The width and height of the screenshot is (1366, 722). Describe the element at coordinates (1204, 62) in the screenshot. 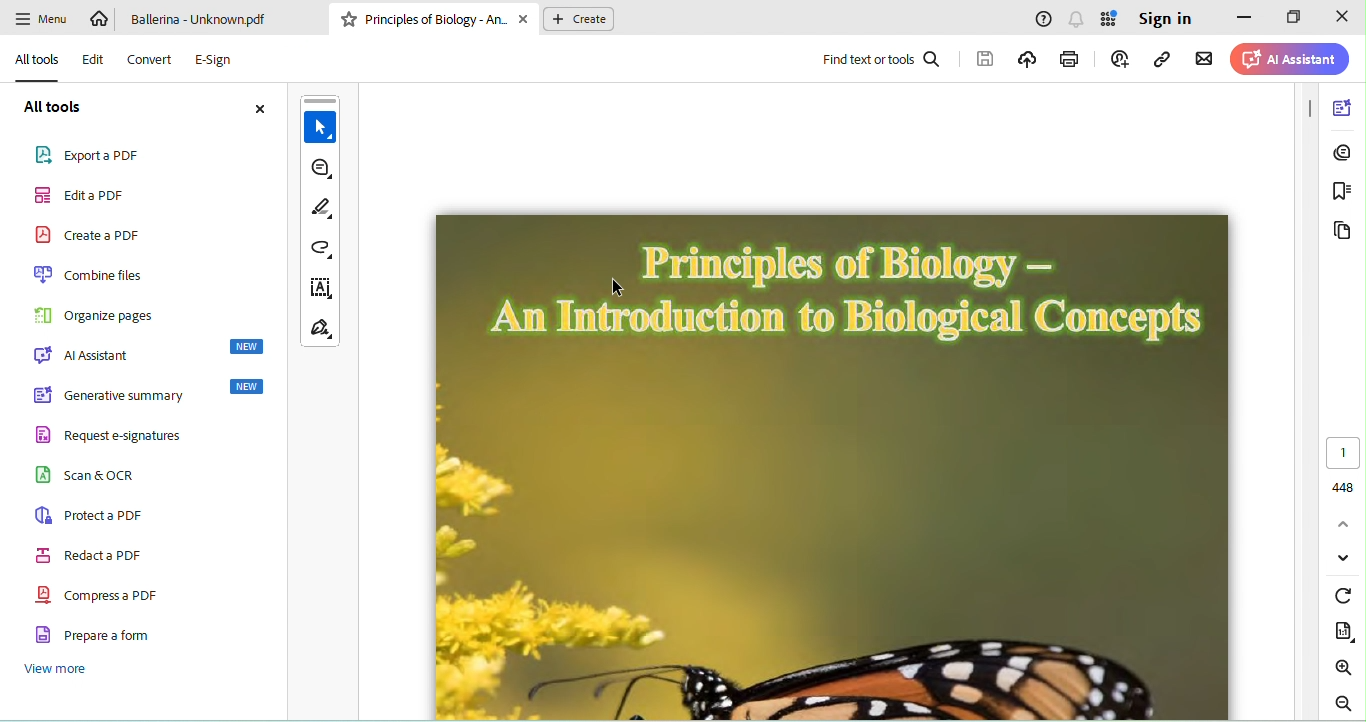

I see `attach this file to an email` at that location.